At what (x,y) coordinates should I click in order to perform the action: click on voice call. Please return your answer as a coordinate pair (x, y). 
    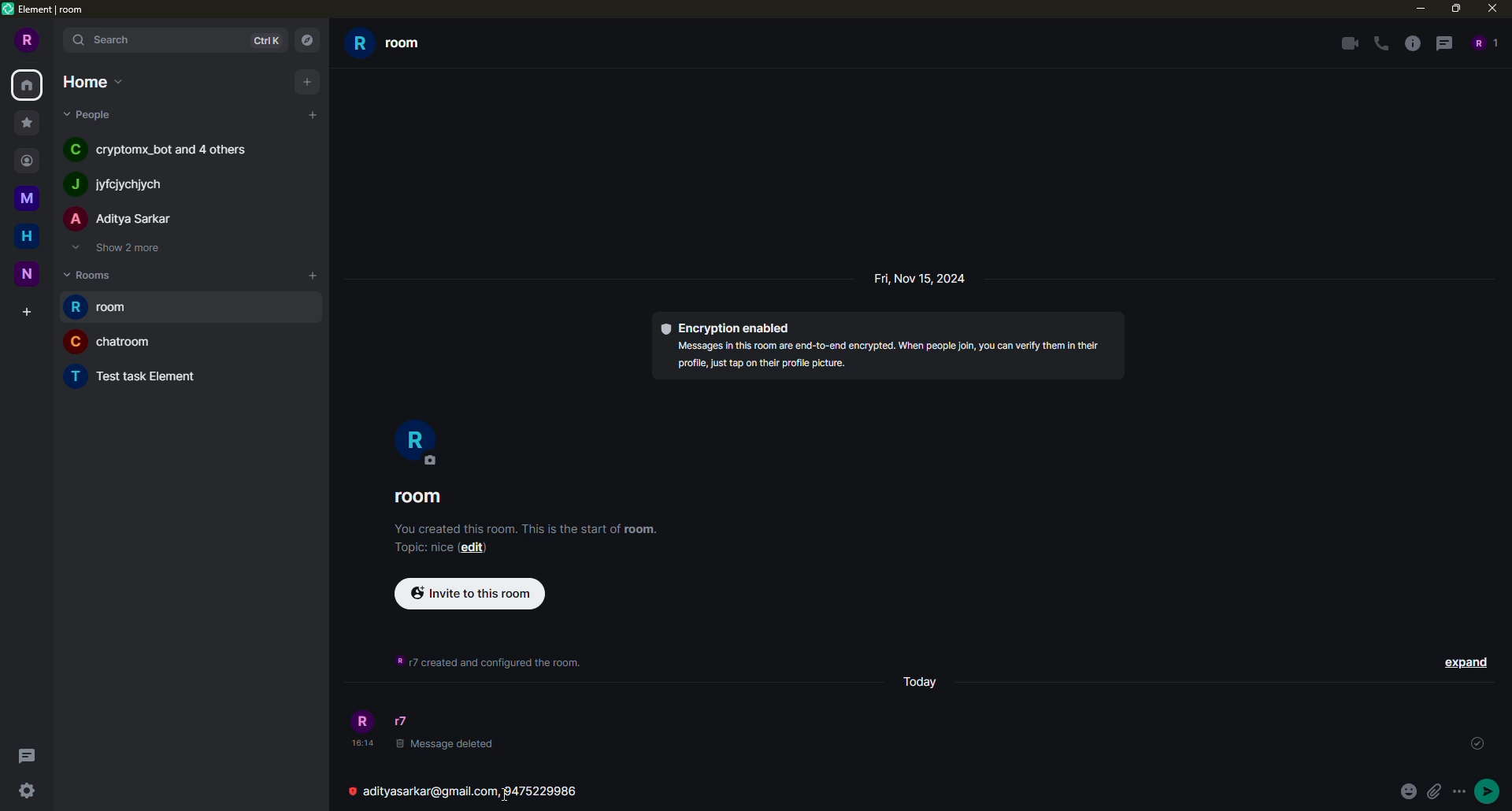
    Looking at the image, I should click on (1380, 43).